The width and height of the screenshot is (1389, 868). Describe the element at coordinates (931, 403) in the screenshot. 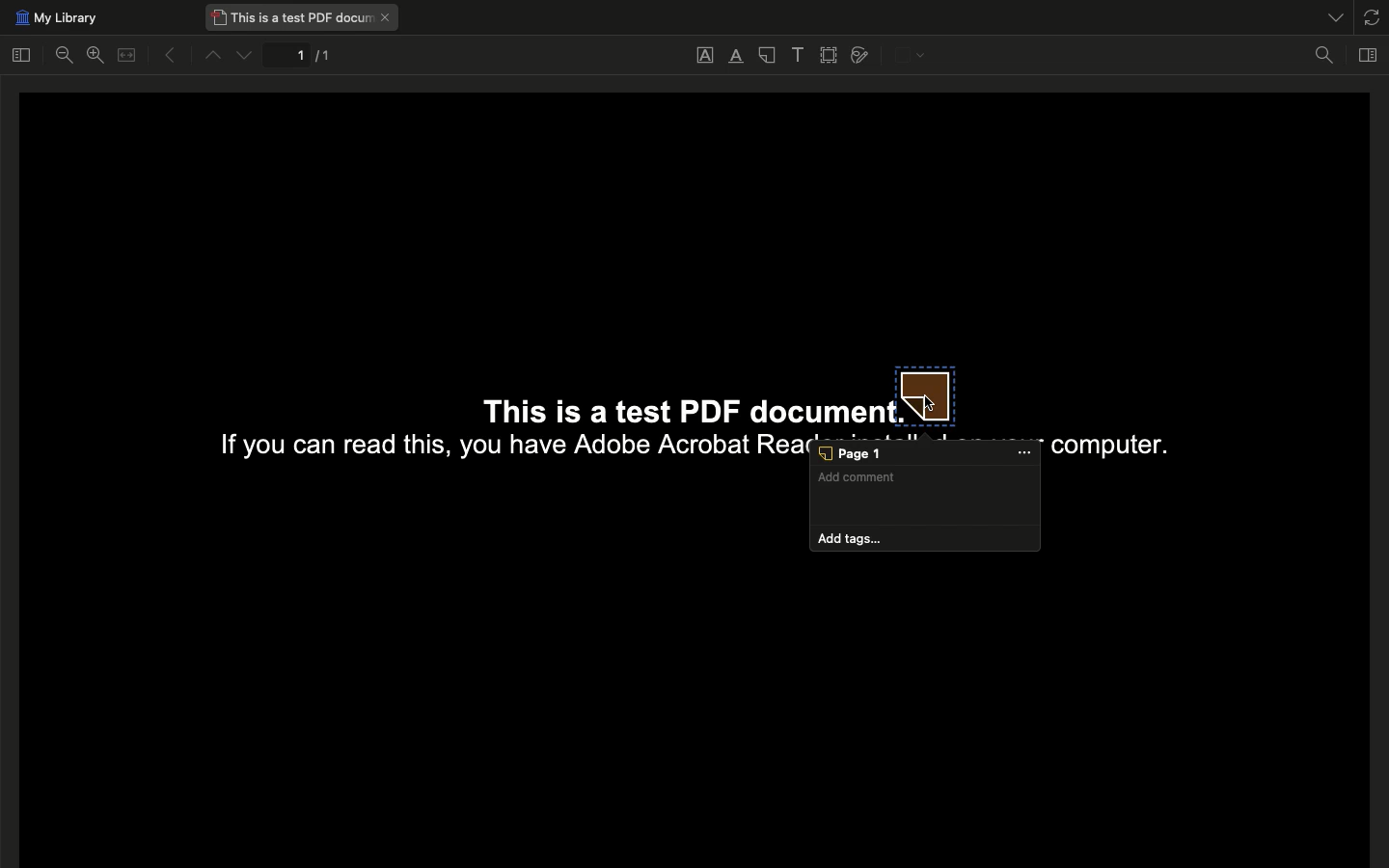

I see `cursor` at that location.